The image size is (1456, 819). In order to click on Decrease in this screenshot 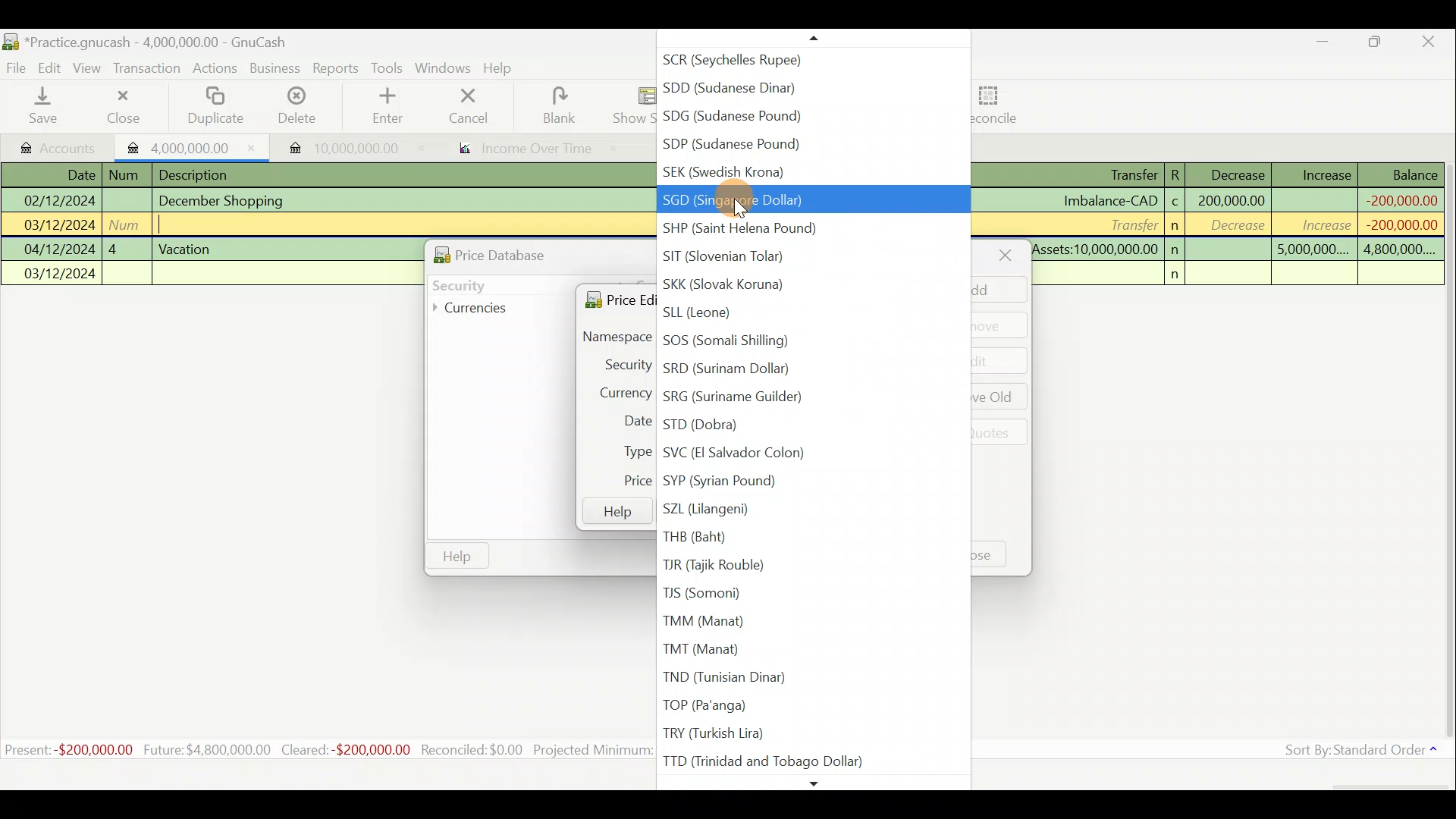, I will do `click(1237, 174)`.